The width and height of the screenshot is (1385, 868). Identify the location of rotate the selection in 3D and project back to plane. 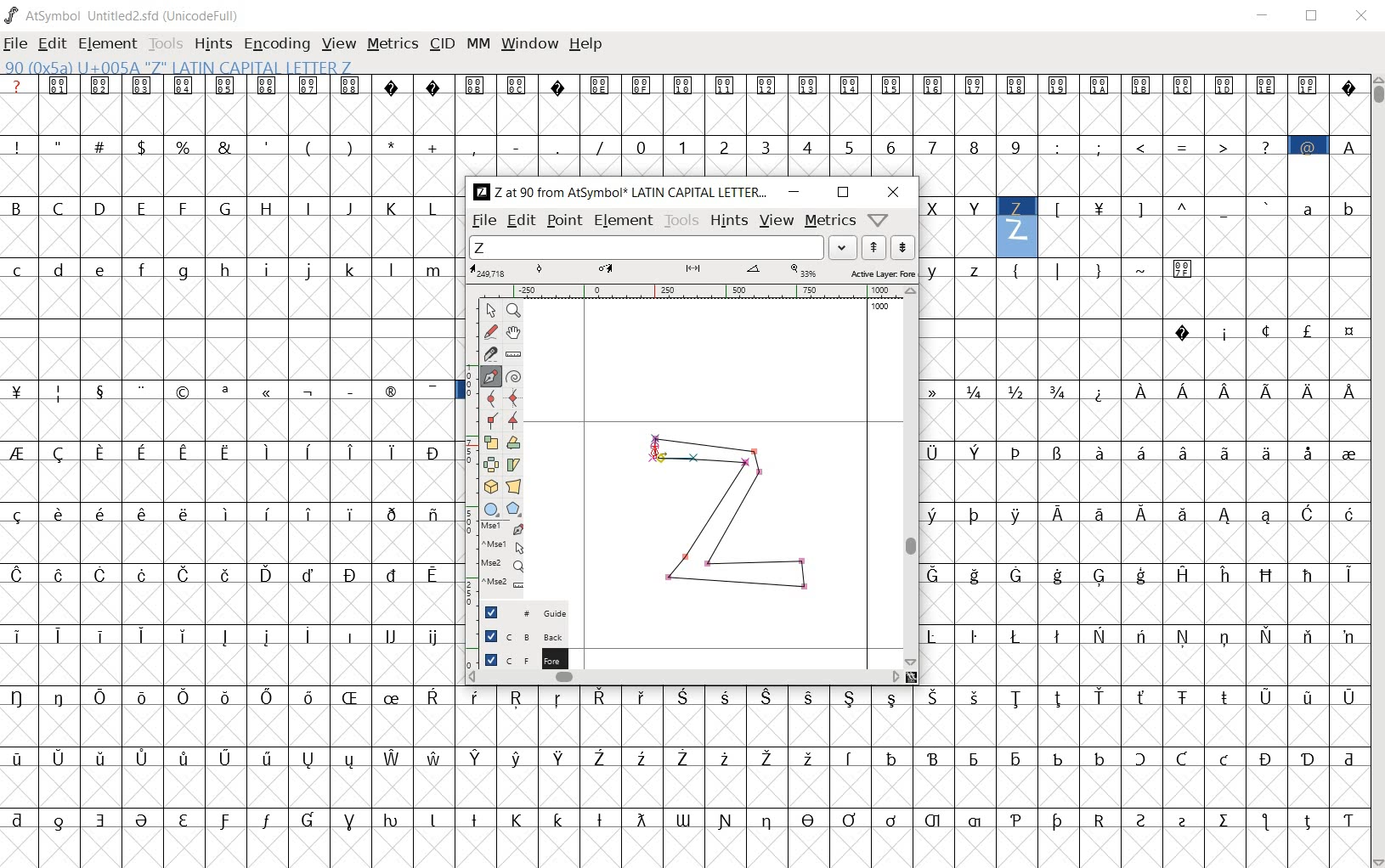
(490, 486).